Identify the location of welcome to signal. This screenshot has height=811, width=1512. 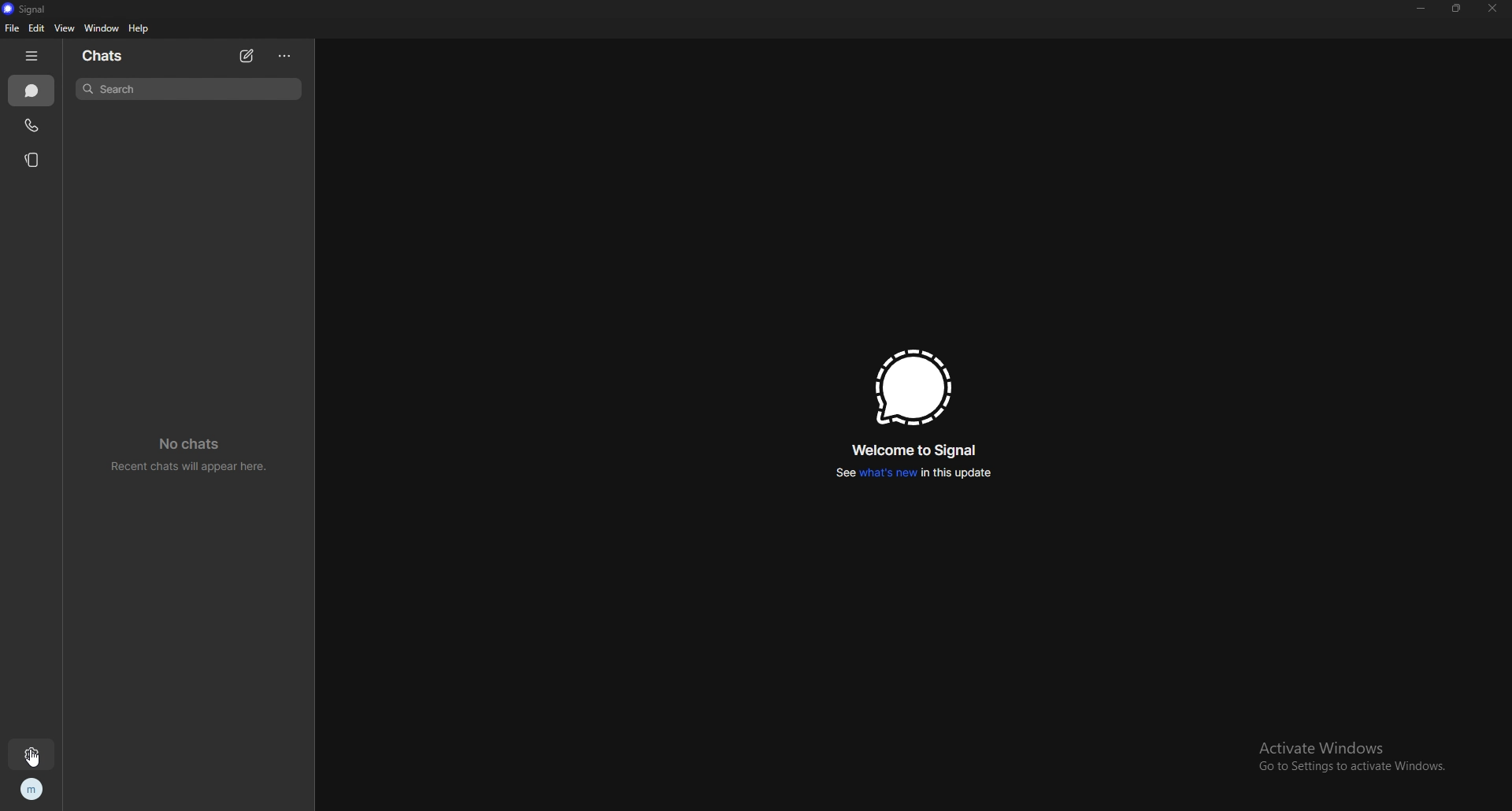
(917, 450).